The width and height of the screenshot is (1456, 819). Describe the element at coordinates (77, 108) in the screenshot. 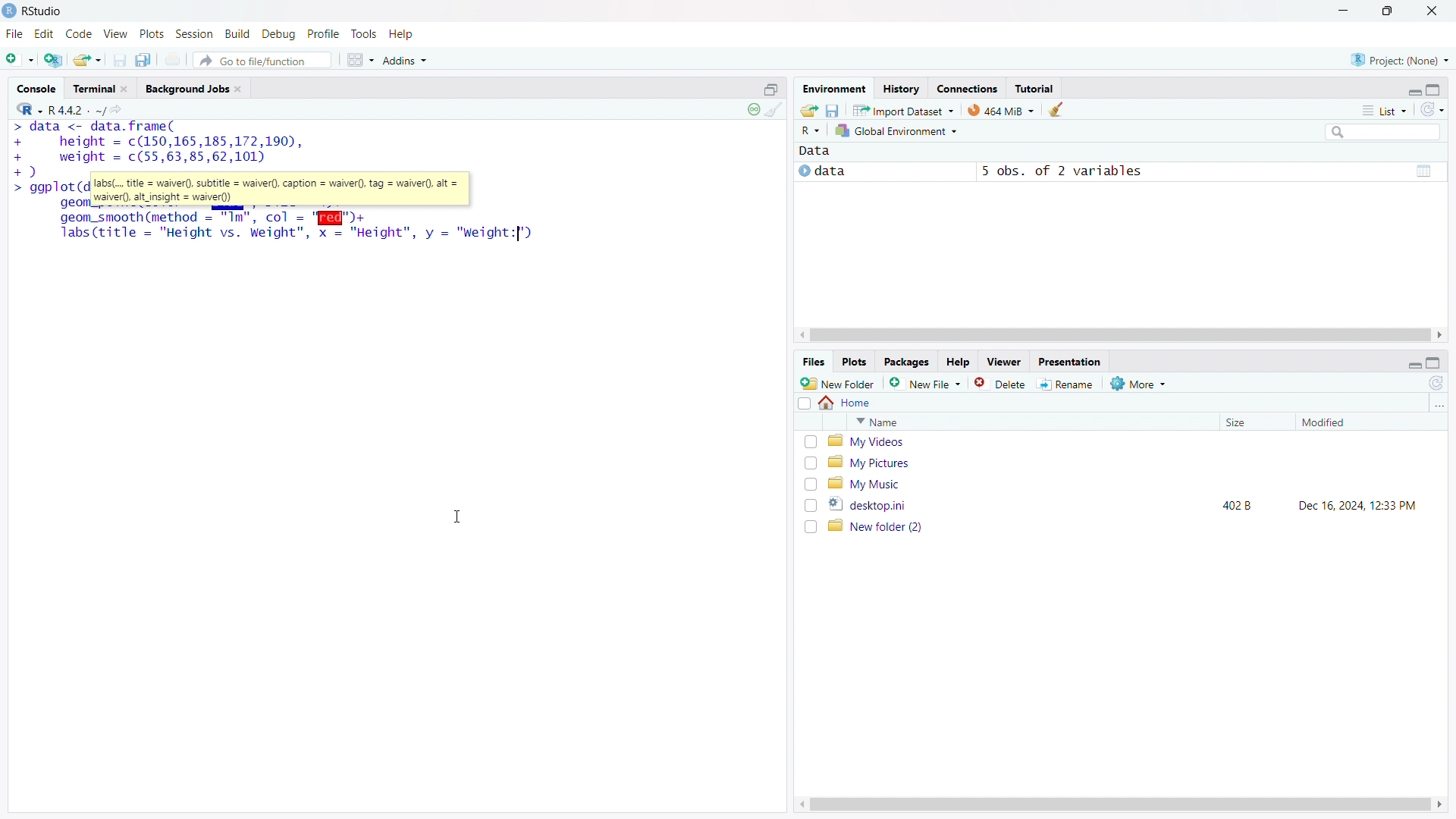

I see `R 4.4.2 . ~/` at that location.